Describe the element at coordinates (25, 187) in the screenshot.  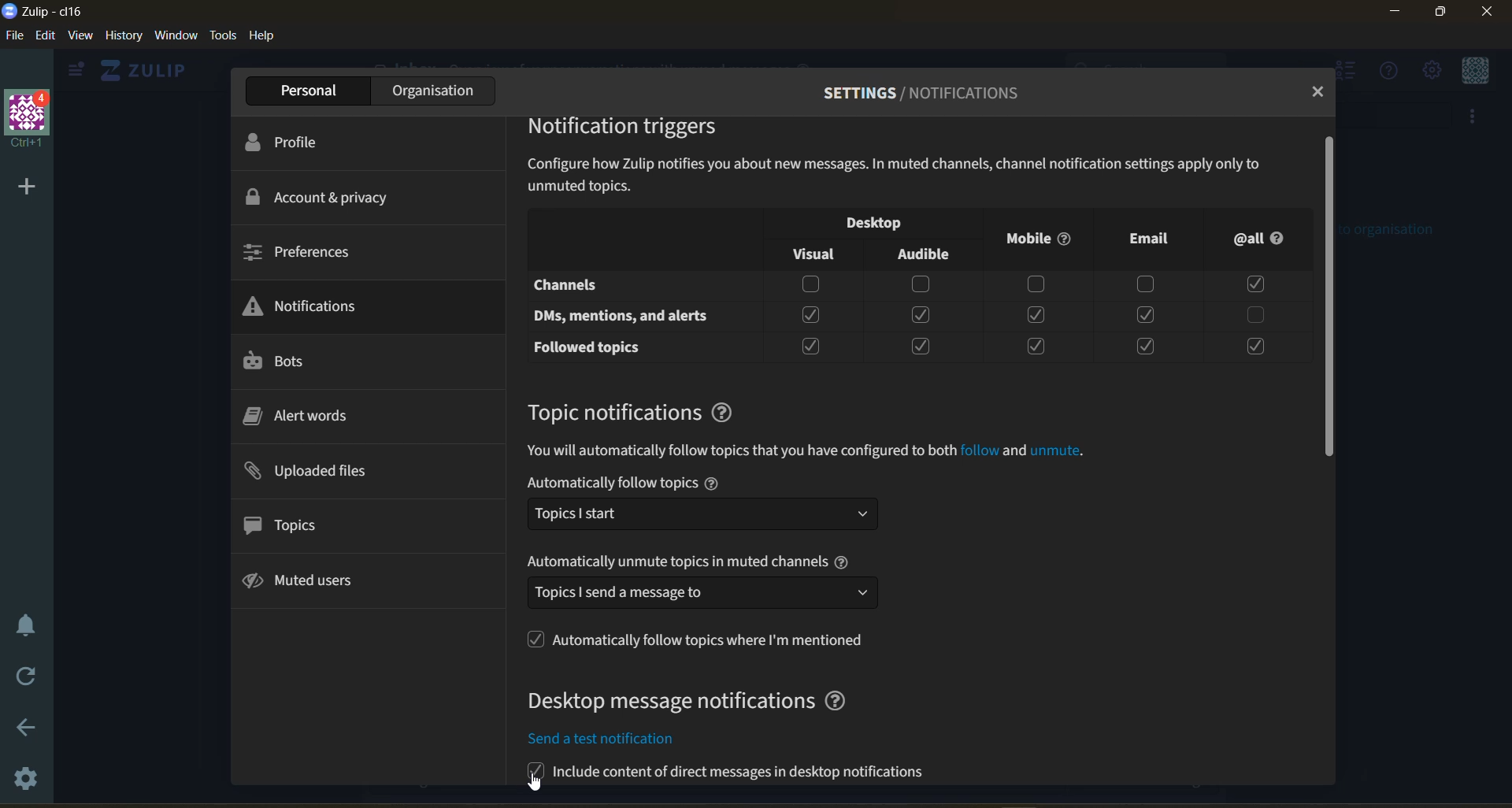
I see `add a new organisation` at that location.